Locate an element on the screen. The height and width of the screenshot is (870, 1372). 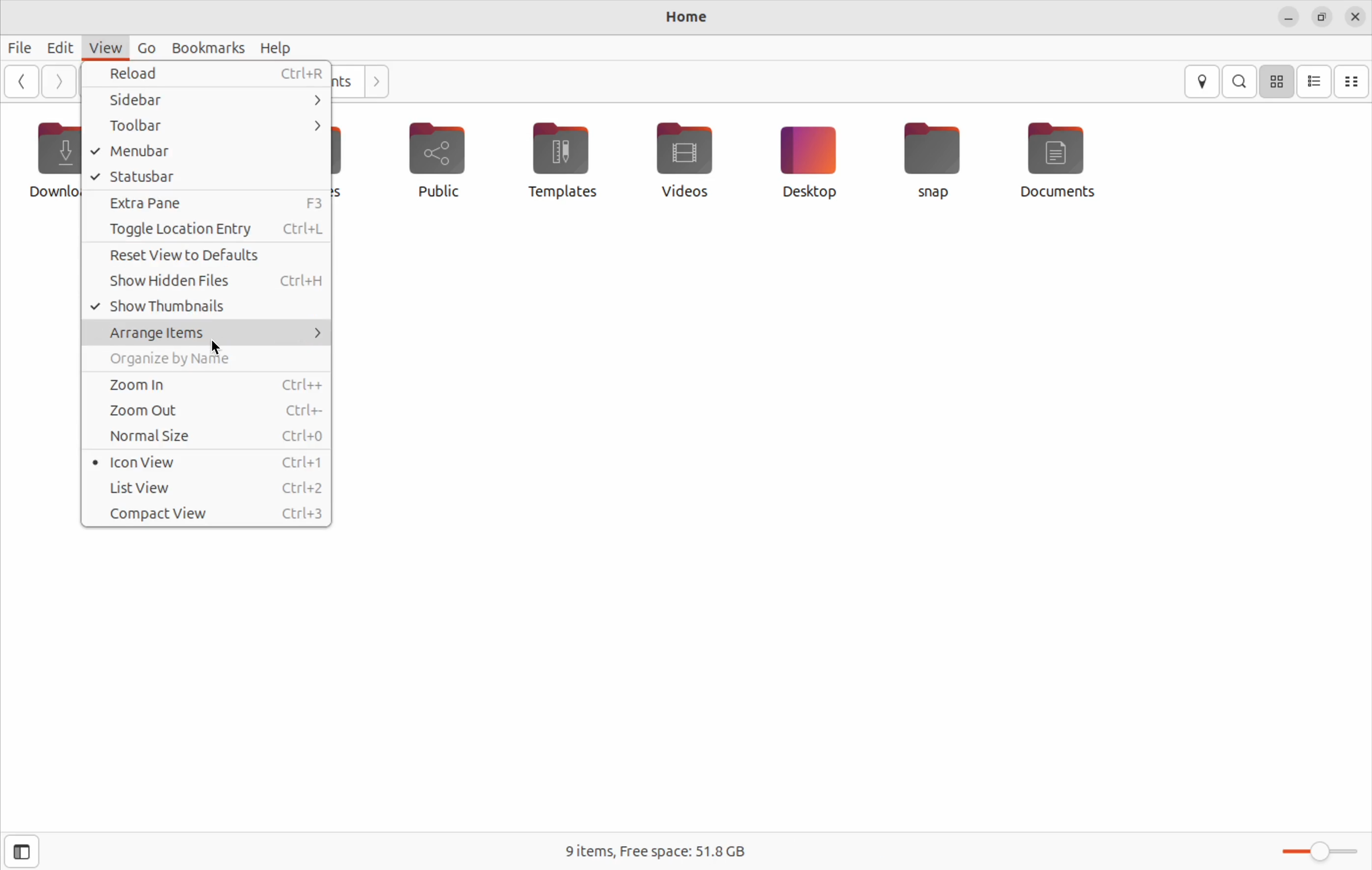
extra pane is located at coordinates (209, 203).